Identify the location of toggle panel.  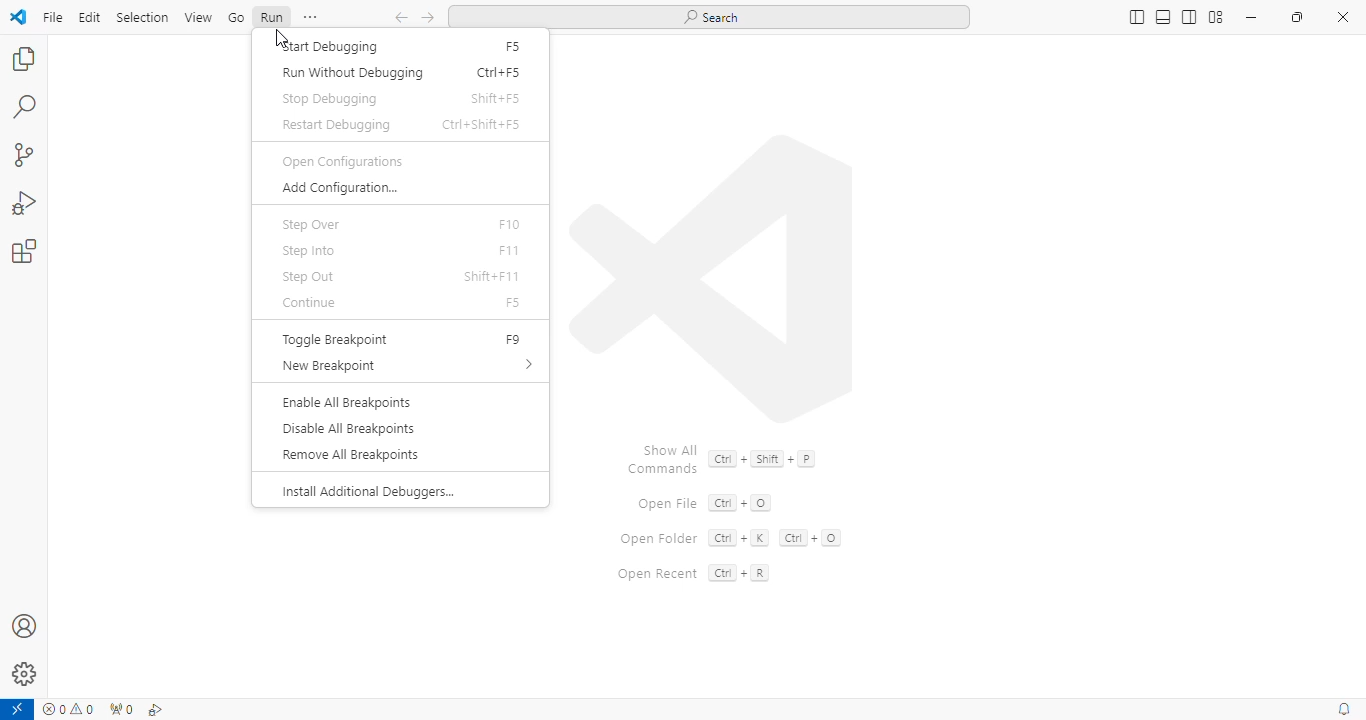
(1164, 17).